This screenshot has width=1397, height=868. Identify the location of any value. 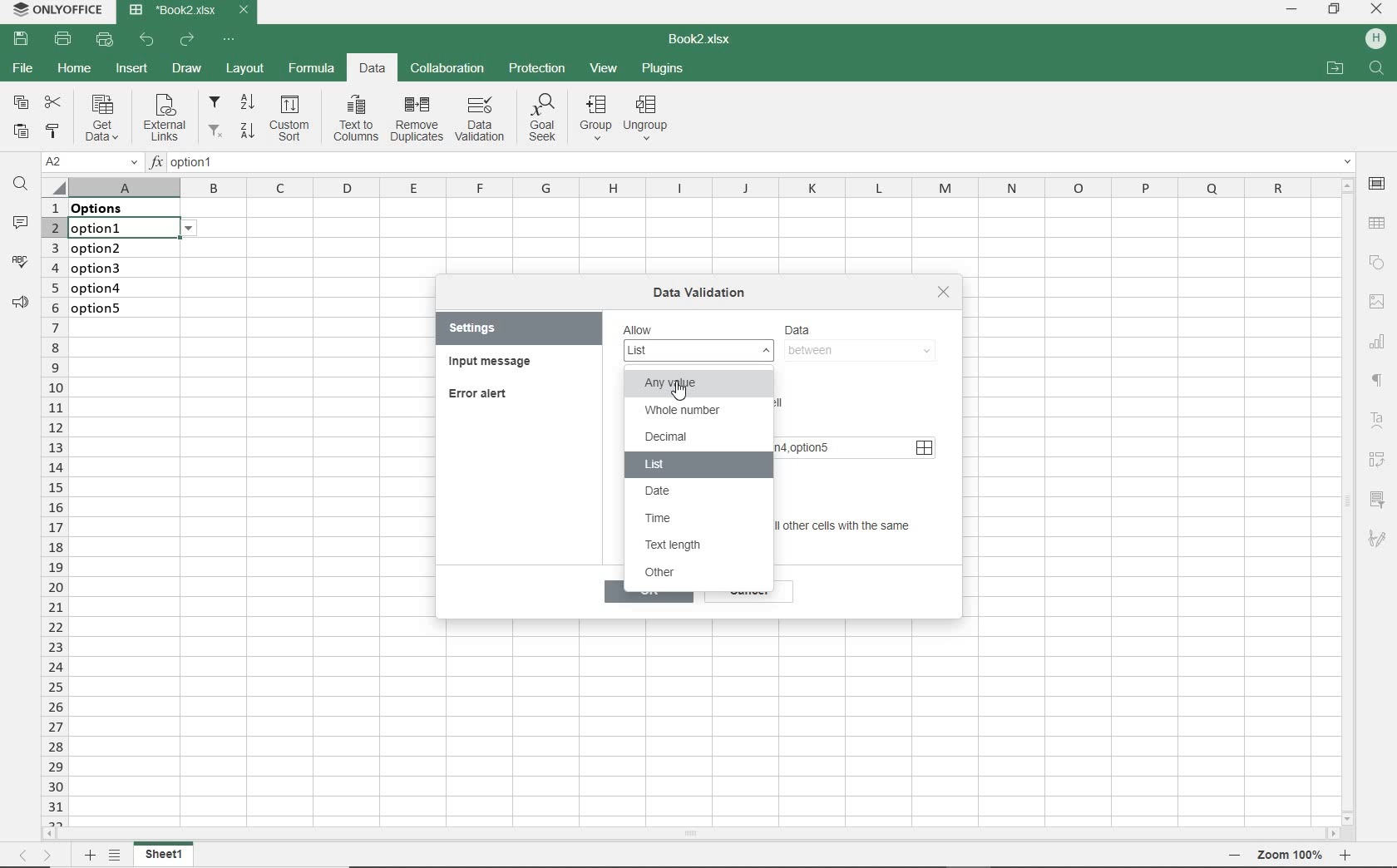
(703, 385).